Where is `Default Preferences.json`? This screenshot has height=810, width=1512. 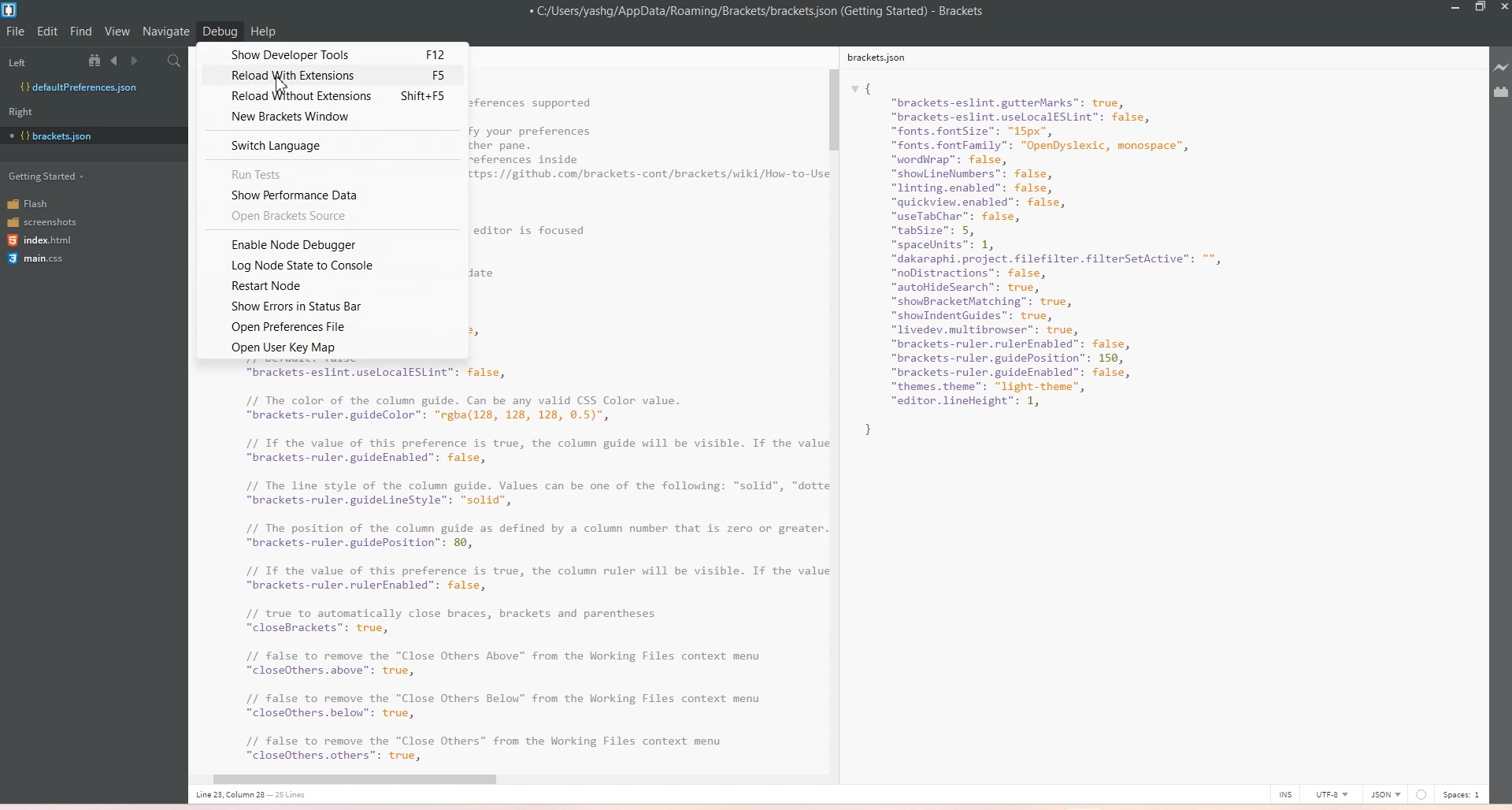 Default Preferences.json is located at coordinates (78, 87).